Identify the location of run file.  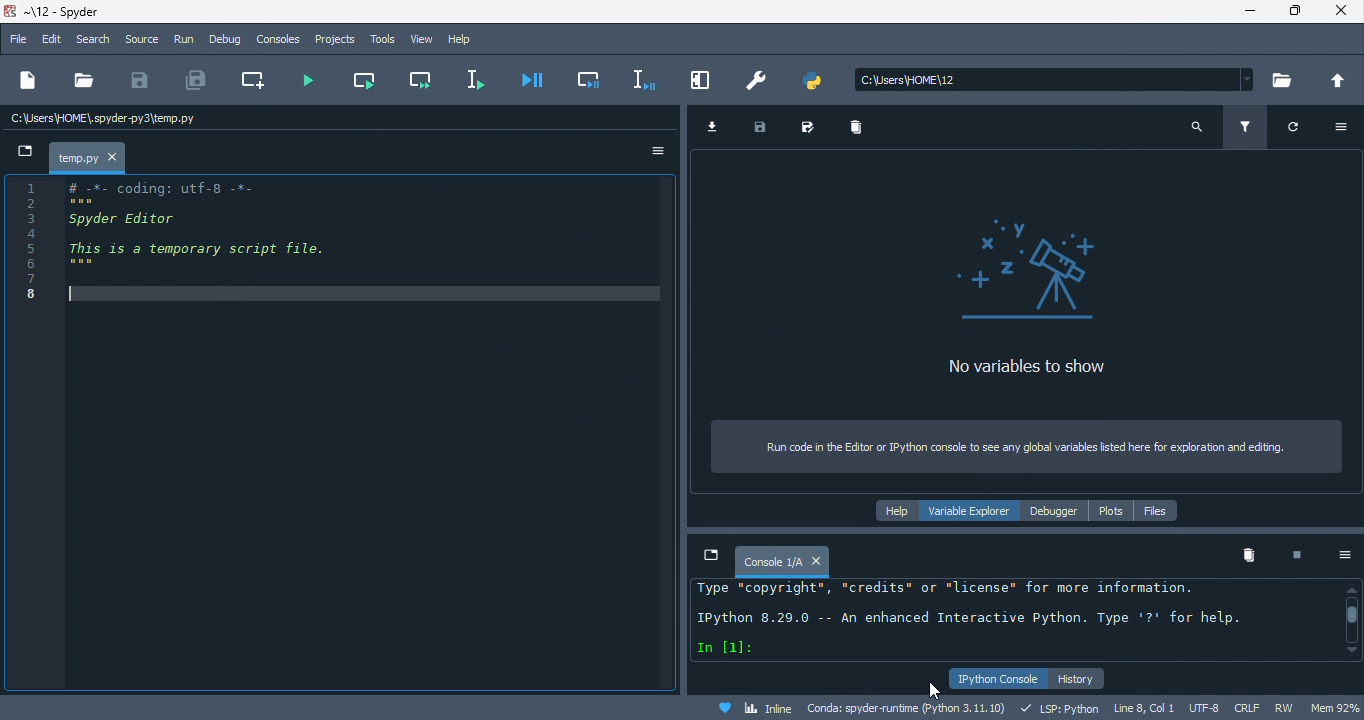
(317, 81).